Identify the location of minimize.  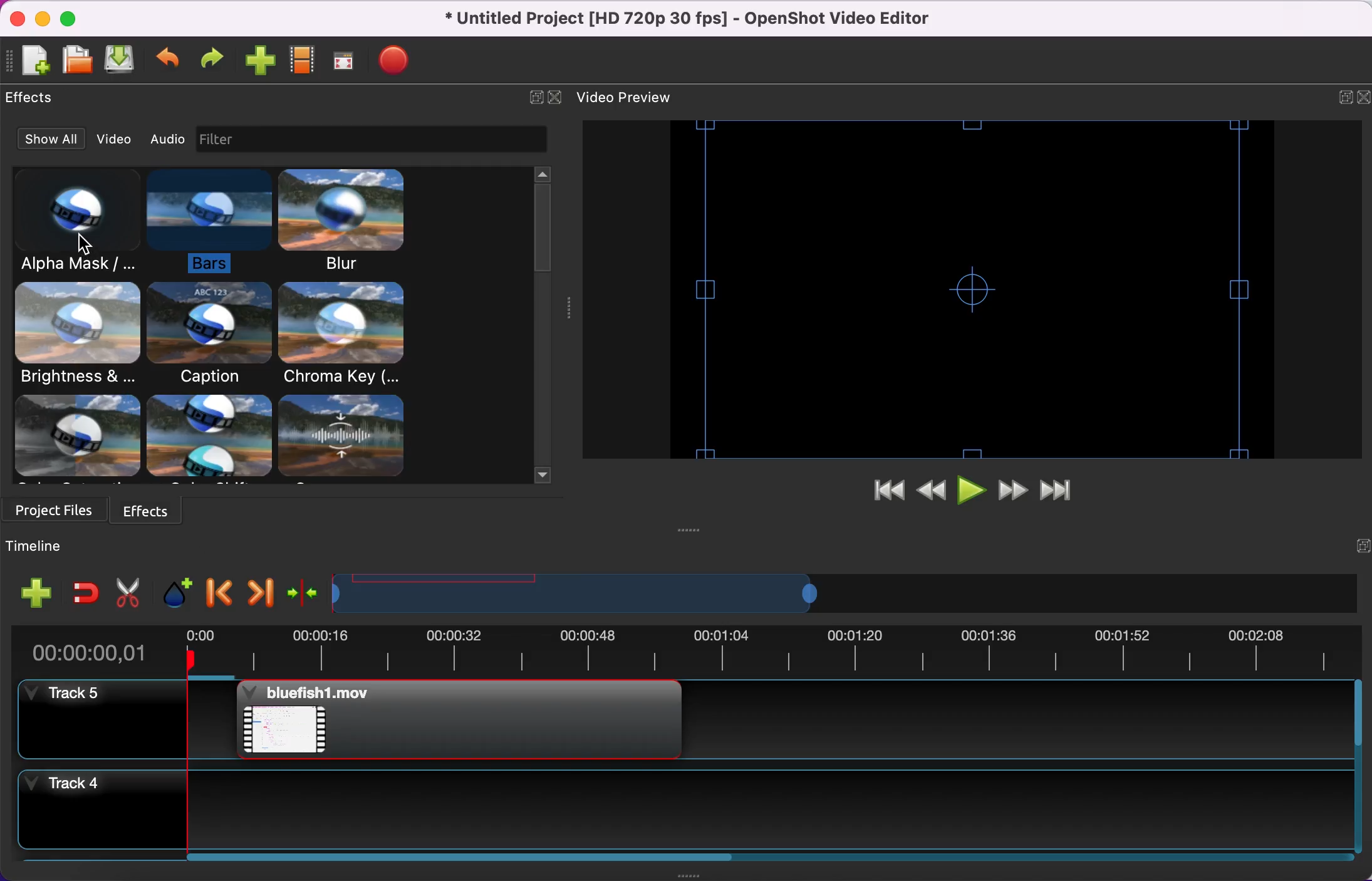
(40, 18).